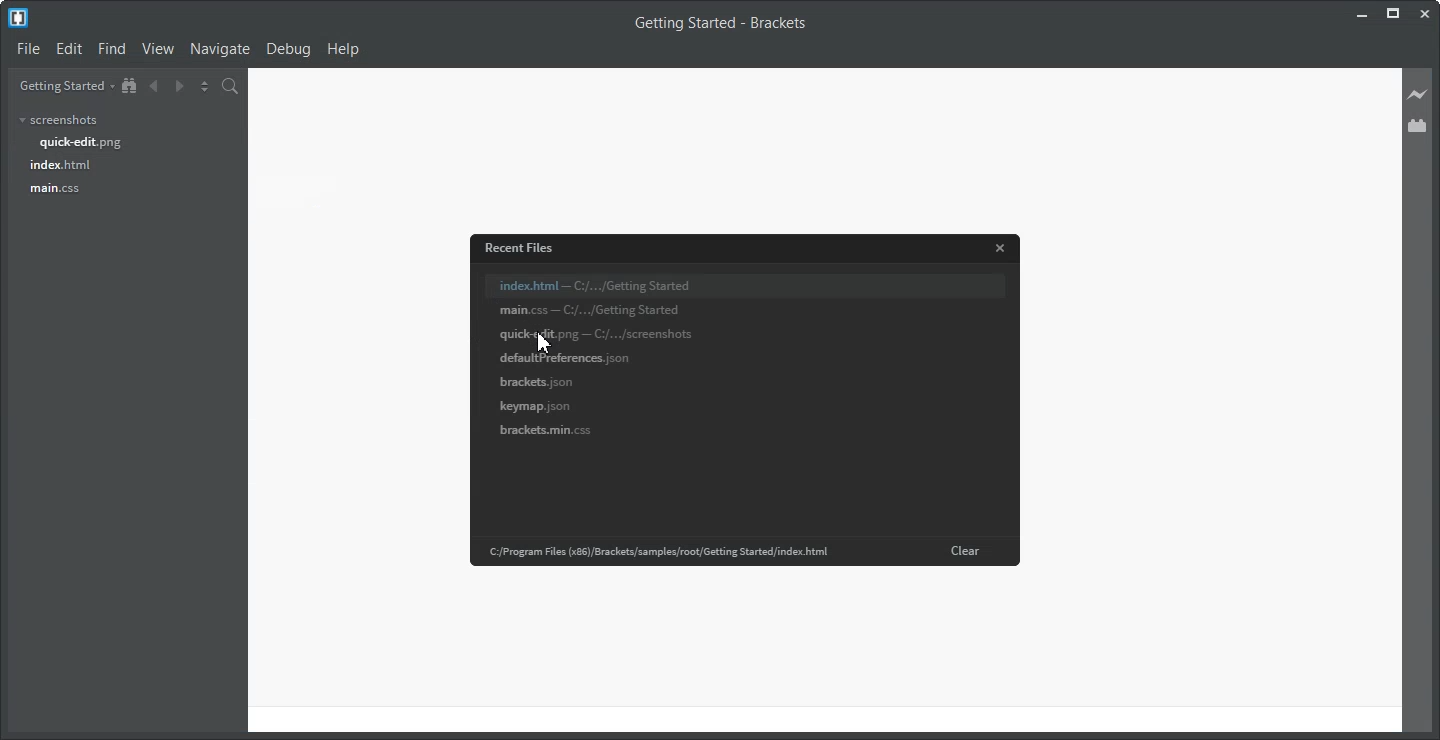 This screenshot has height=740, width=1440. I want to click on Help, so click(343, 49).